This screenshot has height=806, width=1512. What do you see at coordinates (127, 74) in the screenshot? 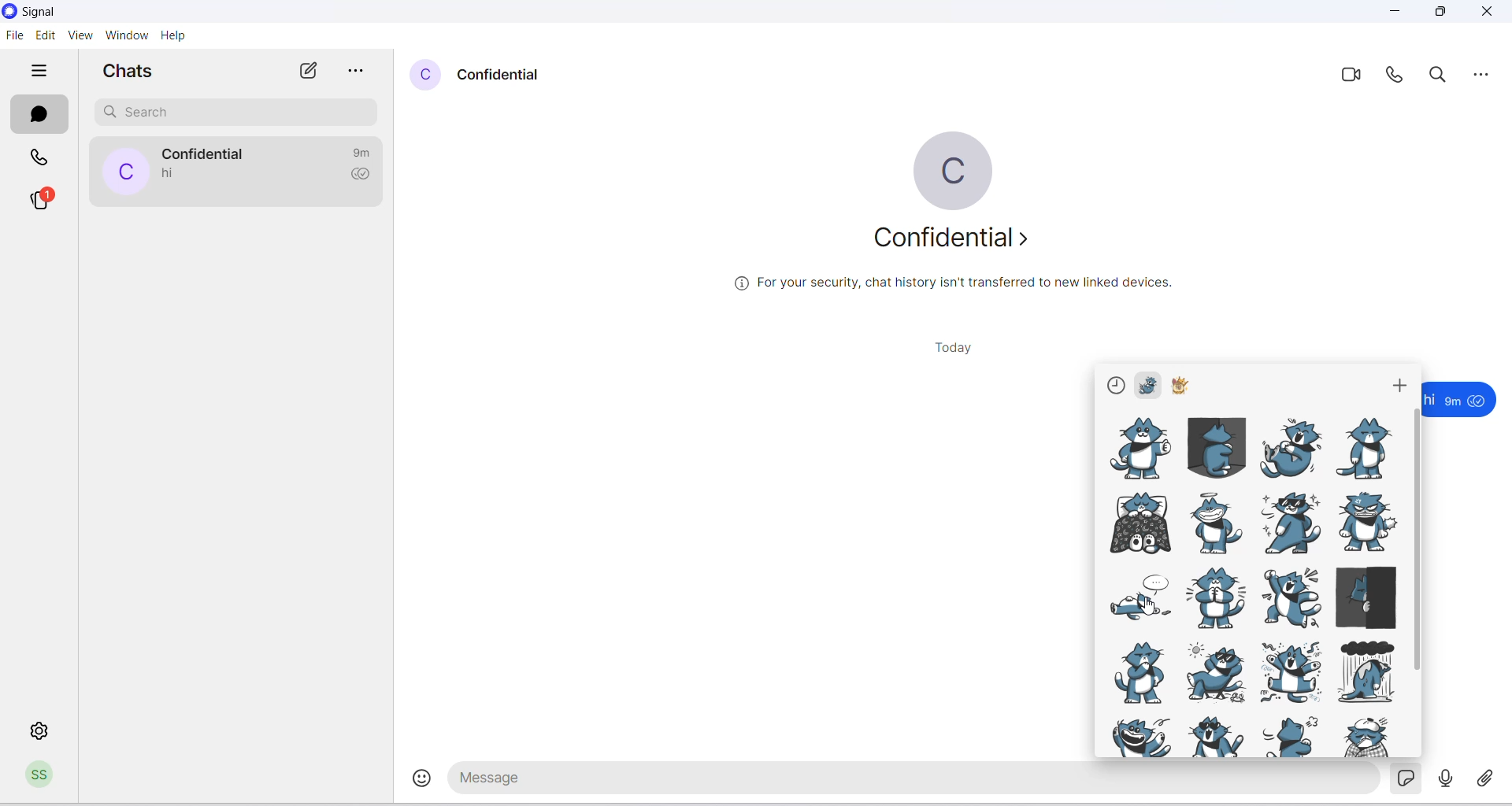
I see `chats heading` at bounding box center [127, 74].